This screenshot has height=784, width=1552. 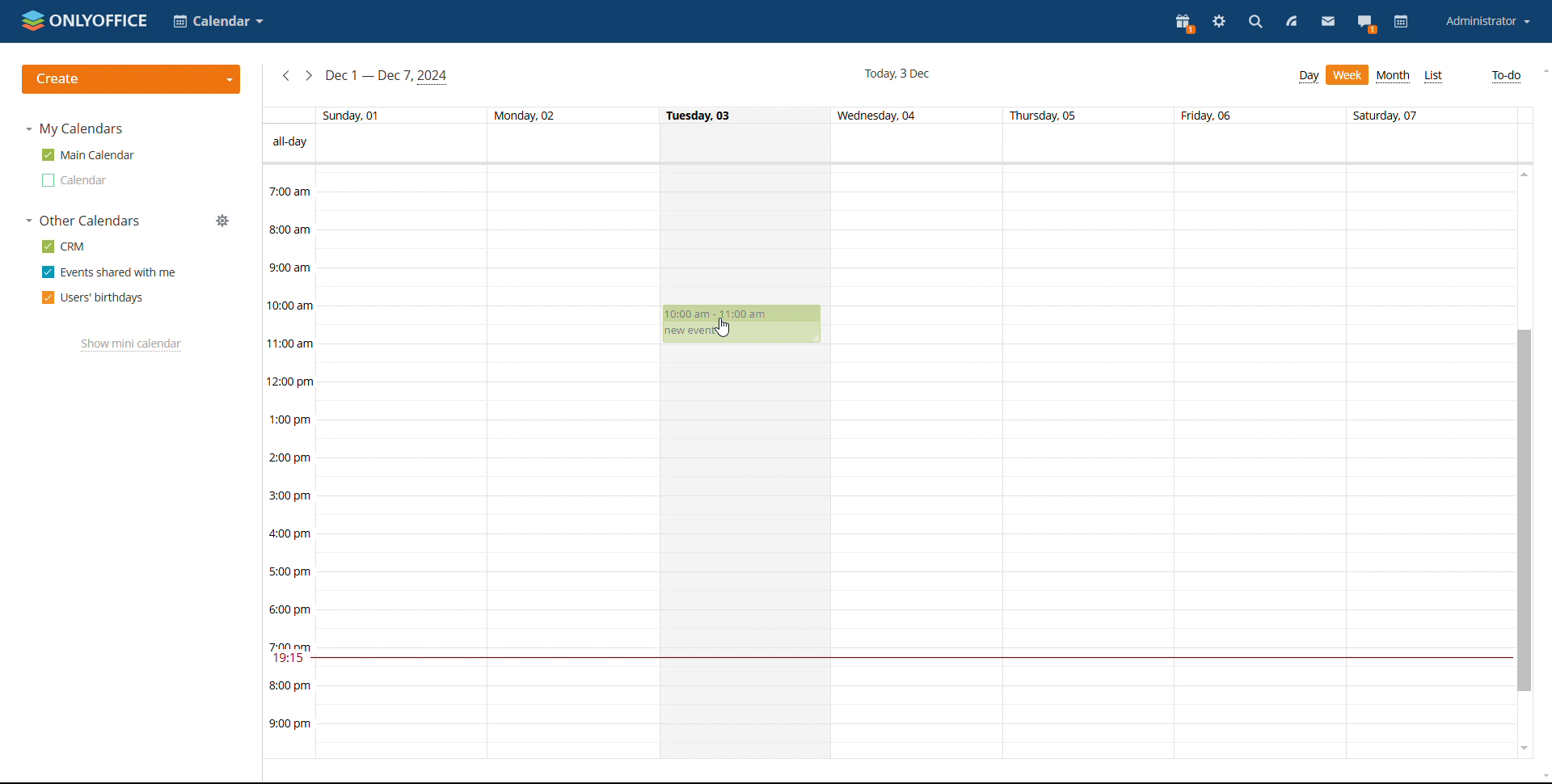 I want to click on search, so click(x=1255, y=22).